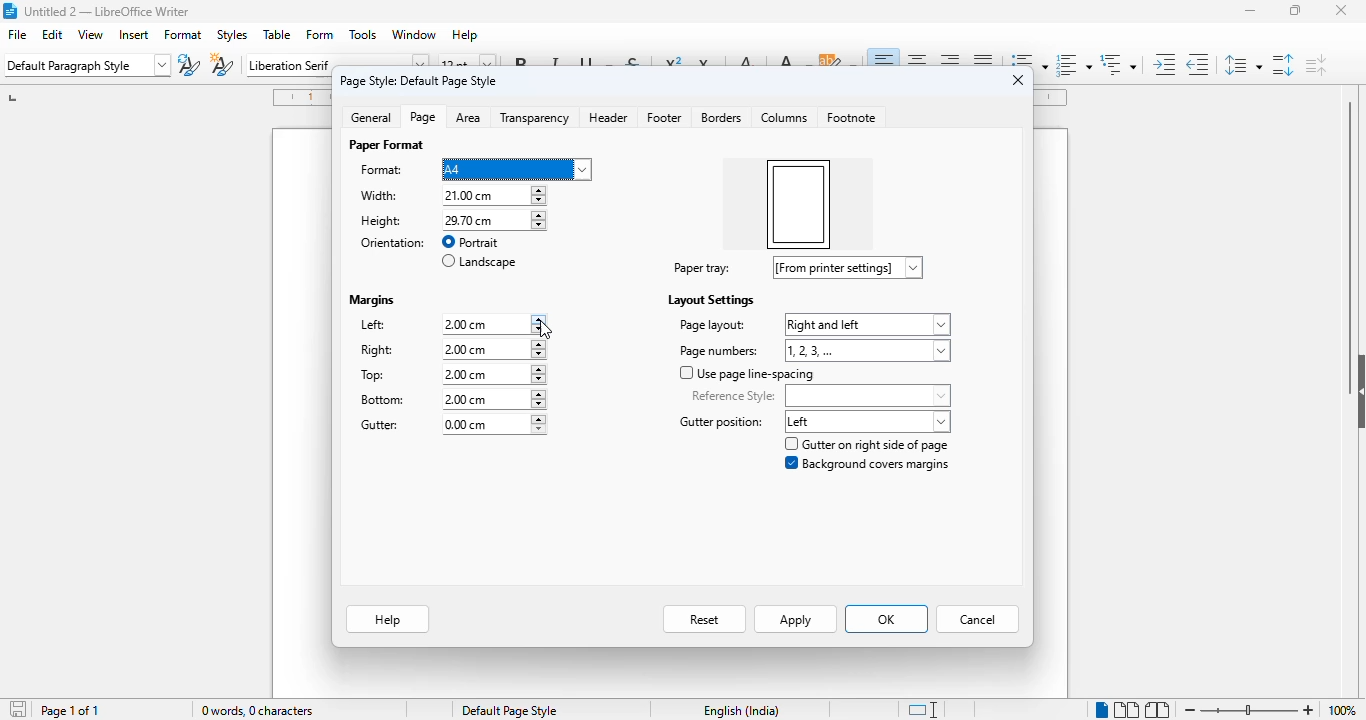 The height and width of the screenshot is (720, 1366). What do you see at coordinates (1357, 392) in the screenshot?
I see `show` at bounding box center [1357, 392].